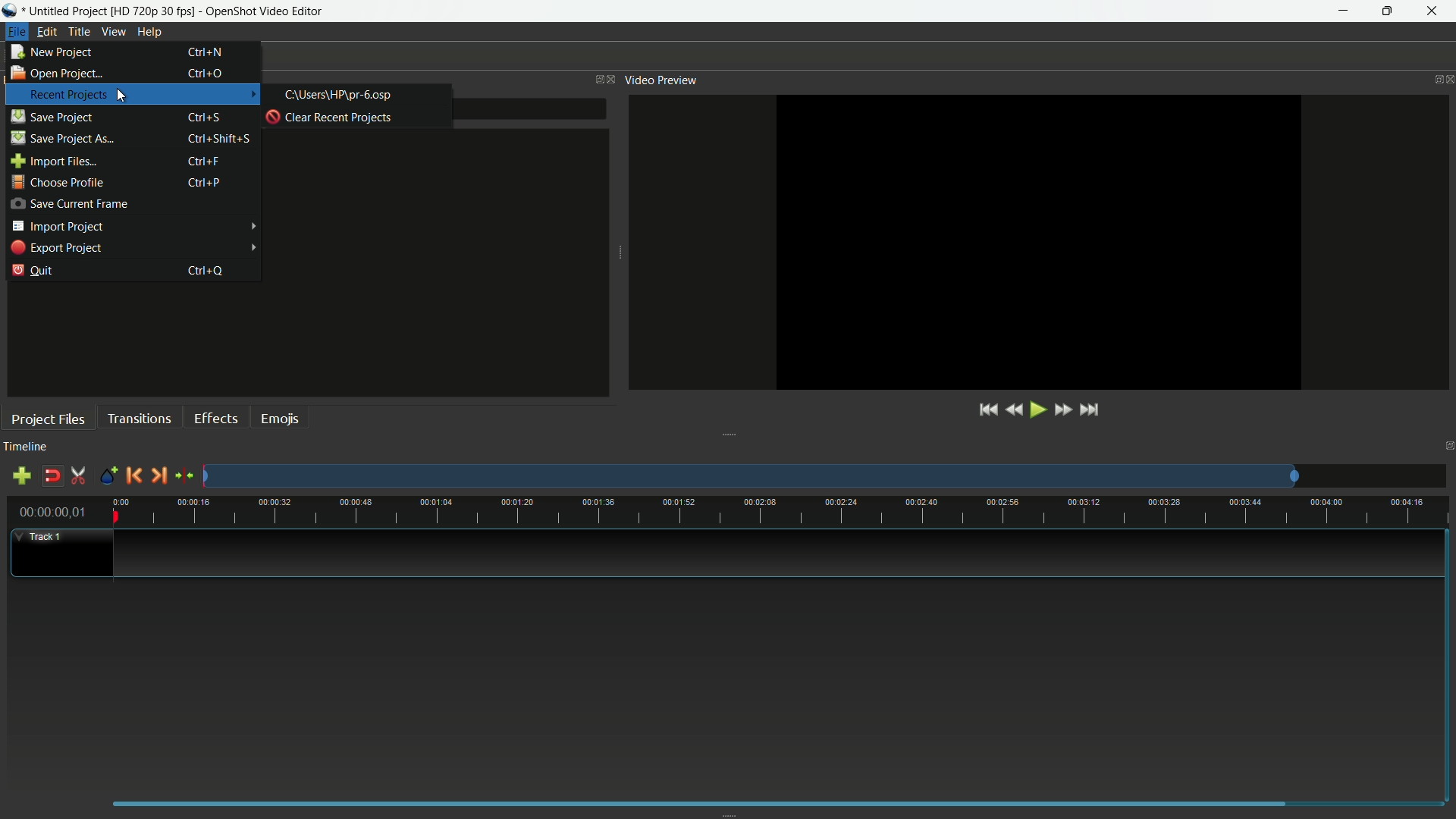 This screenshot has width=1456, height=819. I want to click on save current frame, so click(69, 203).